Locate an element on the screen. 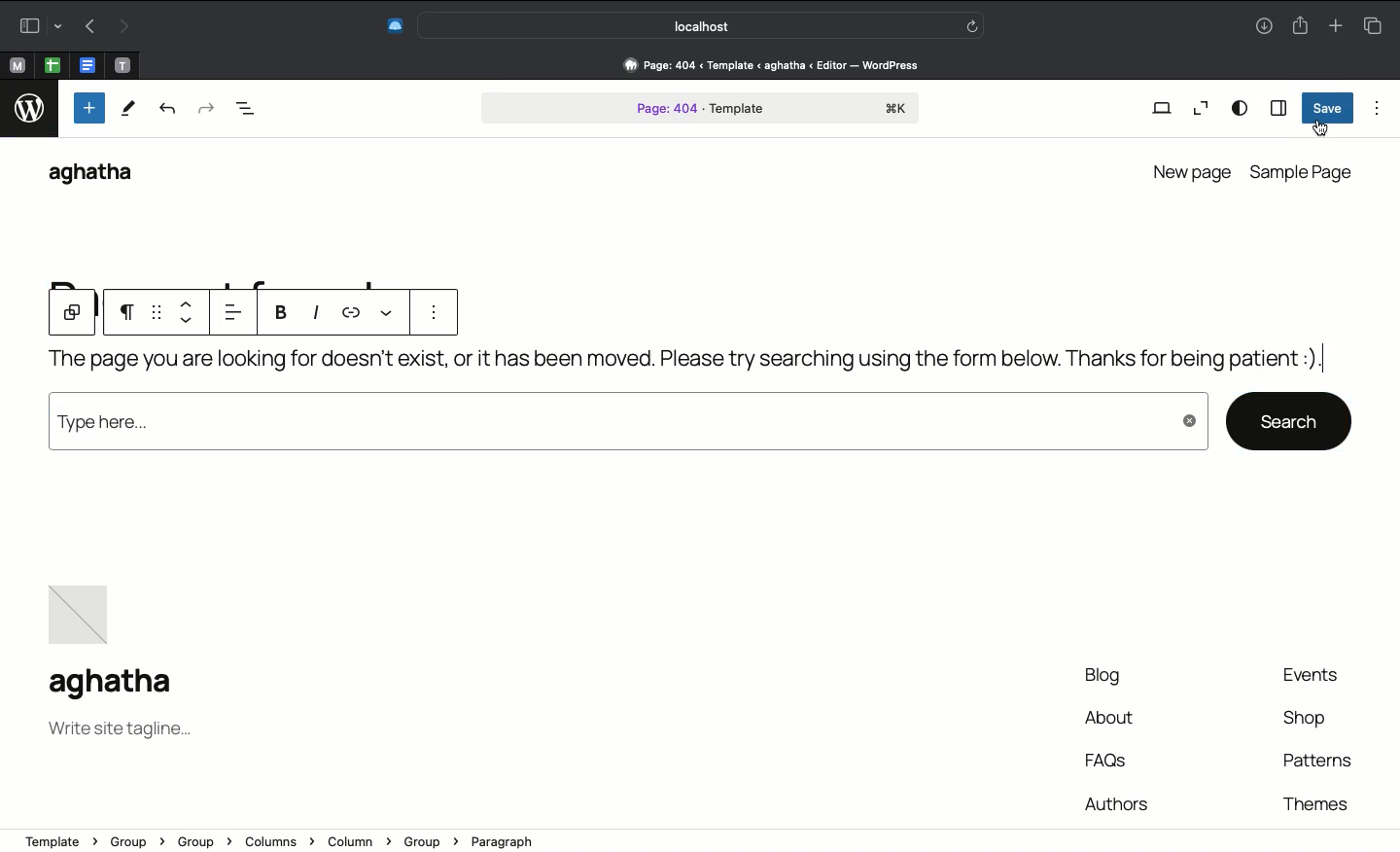  Paragraph is located at coordinates (130, 315).